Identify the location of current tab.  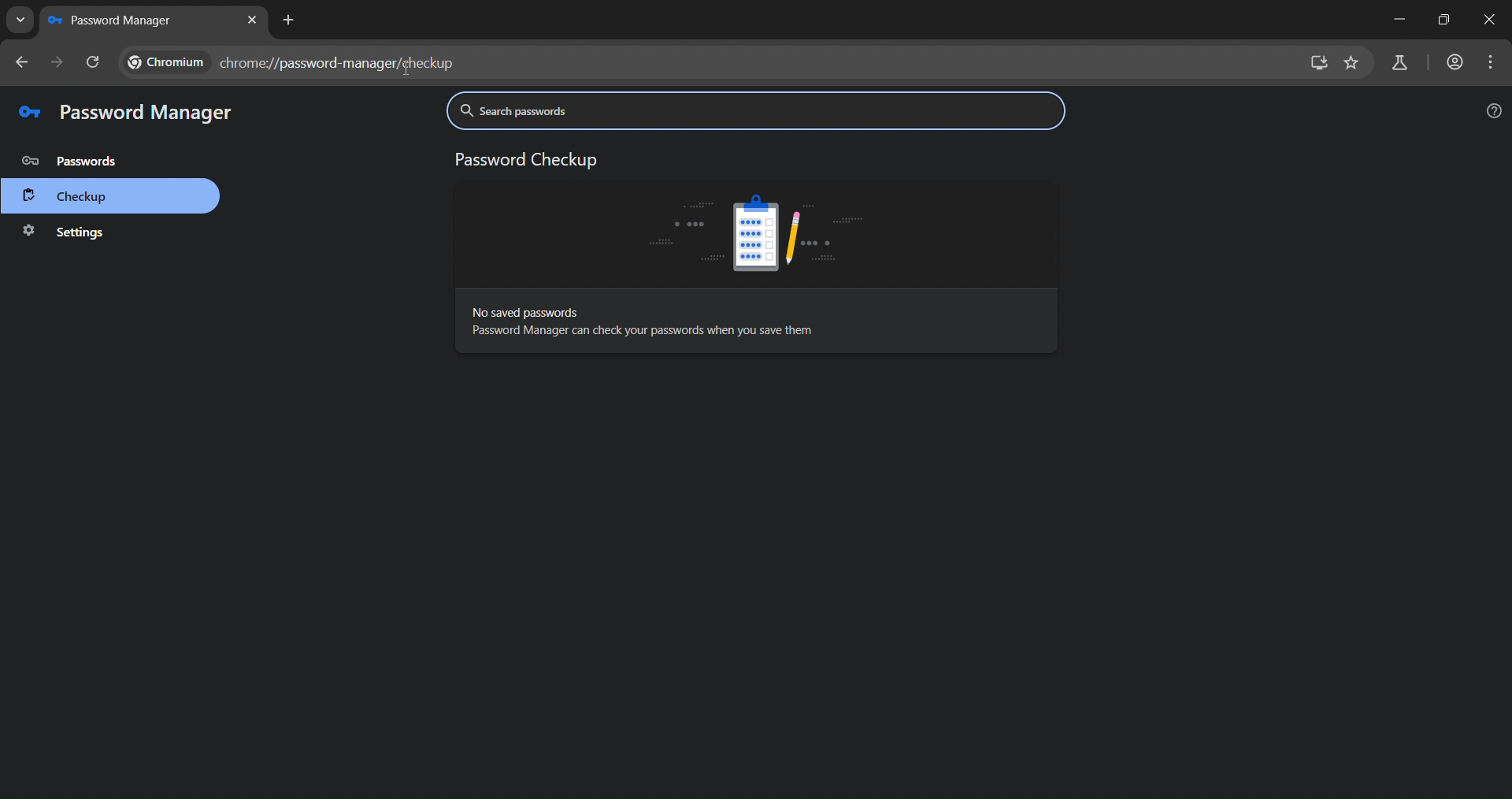
(112, 22).